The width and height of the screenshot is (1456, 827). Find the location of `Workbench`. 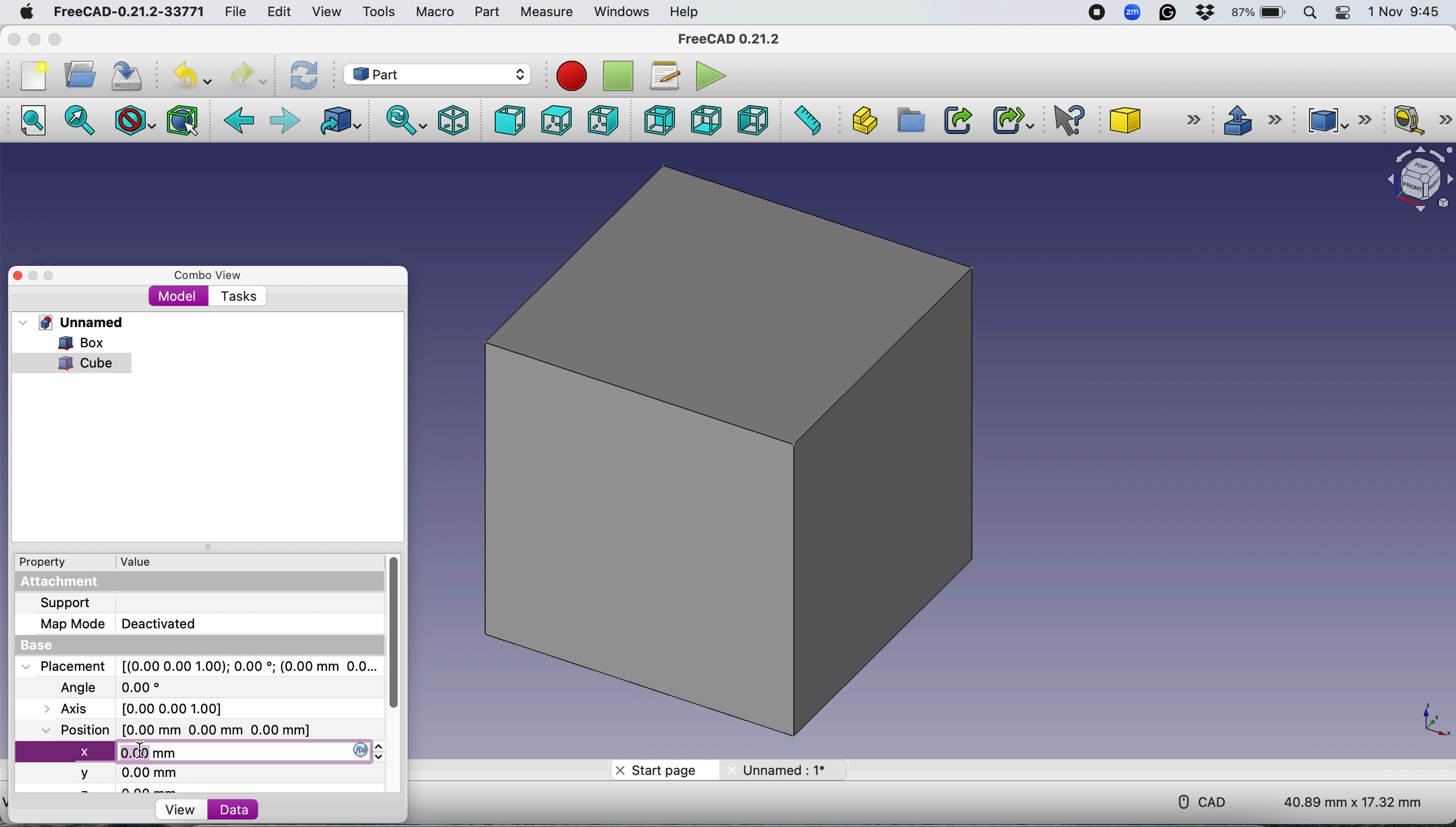

Workbench is located at coordinates (436, 73).